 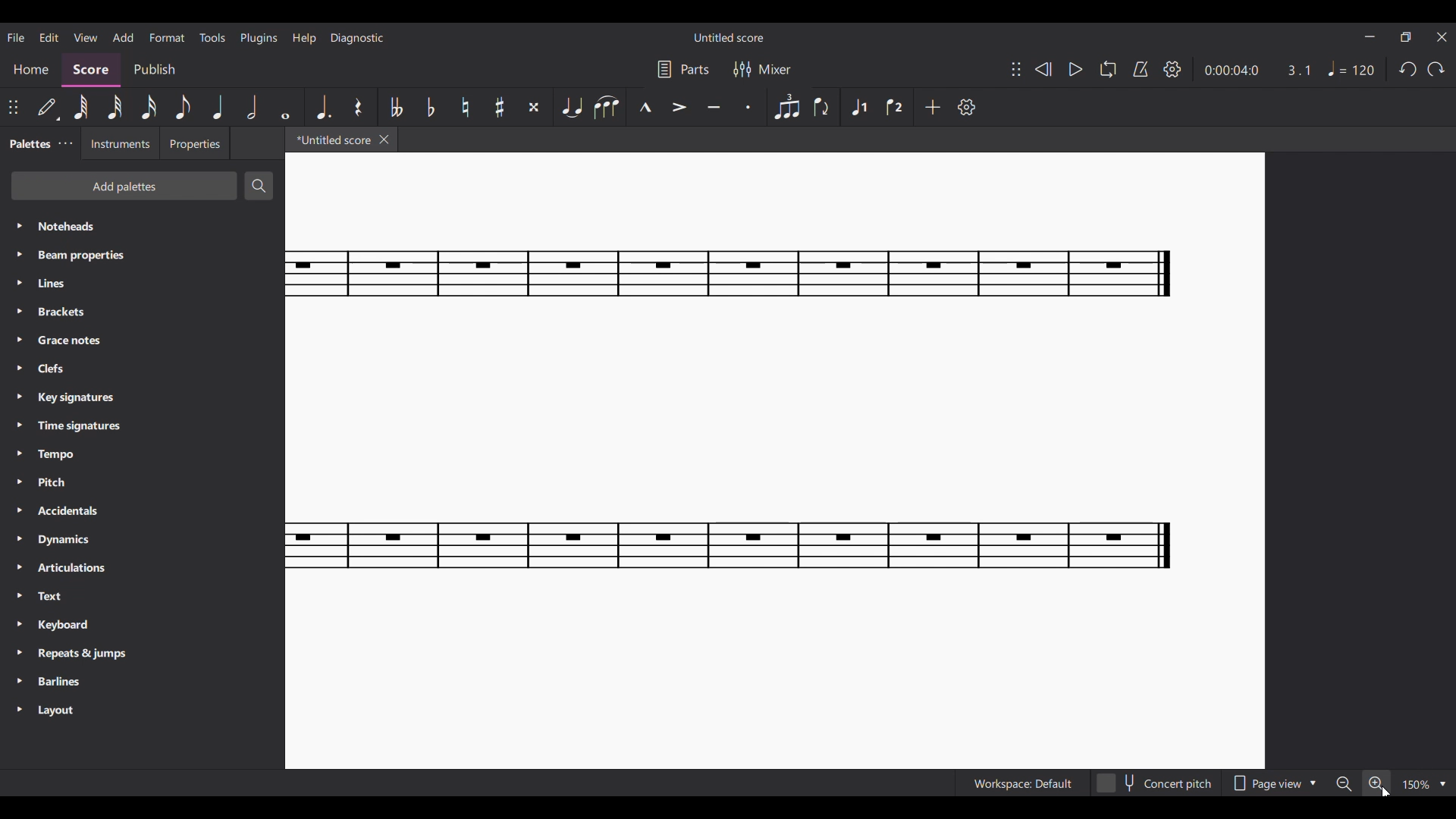 I want to click on Articulations, so click(x=142, y=568).